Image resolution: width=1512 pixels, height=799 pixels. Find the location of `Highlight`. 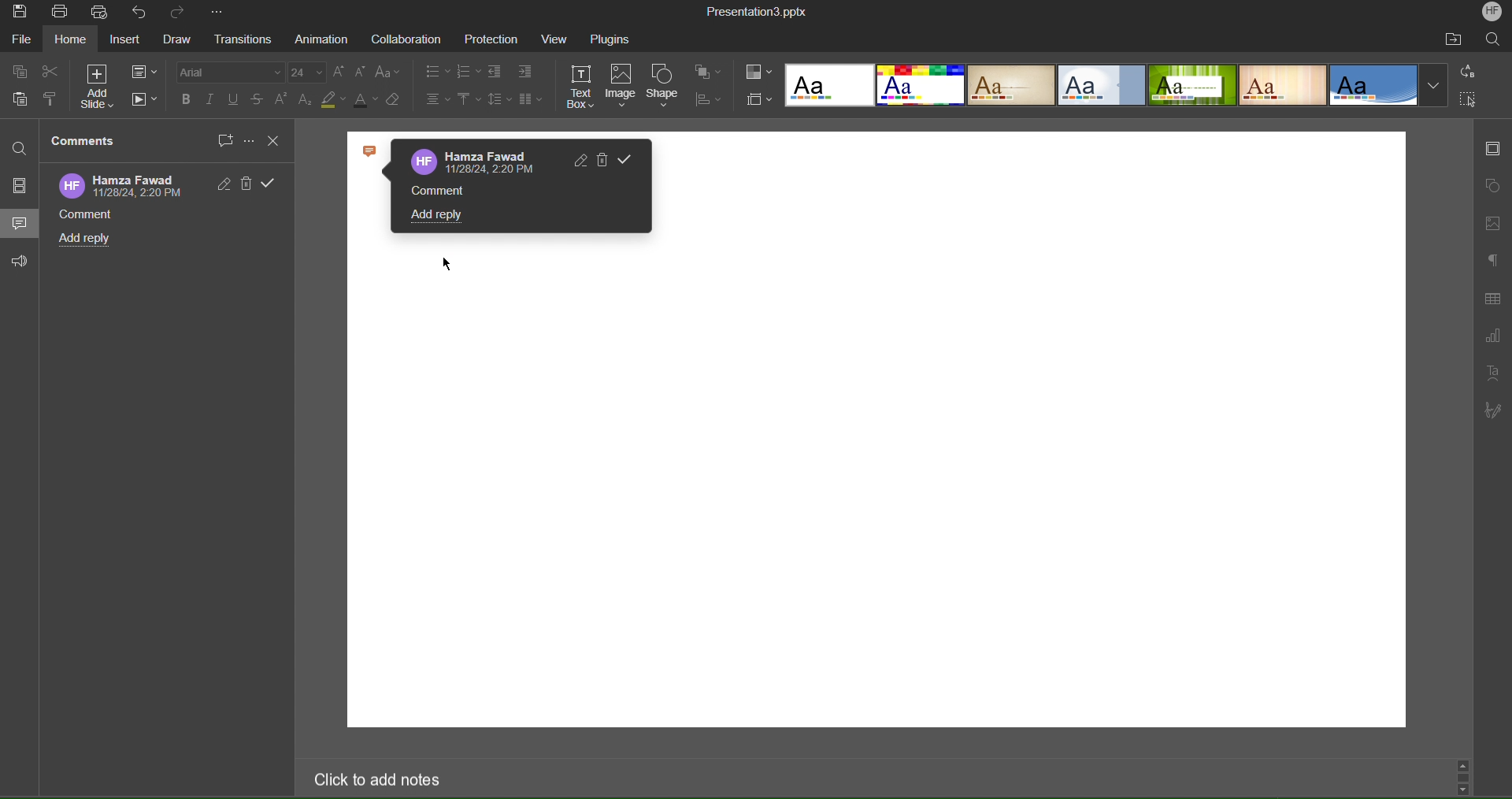

Highlight is located at coordinates (331, 101).